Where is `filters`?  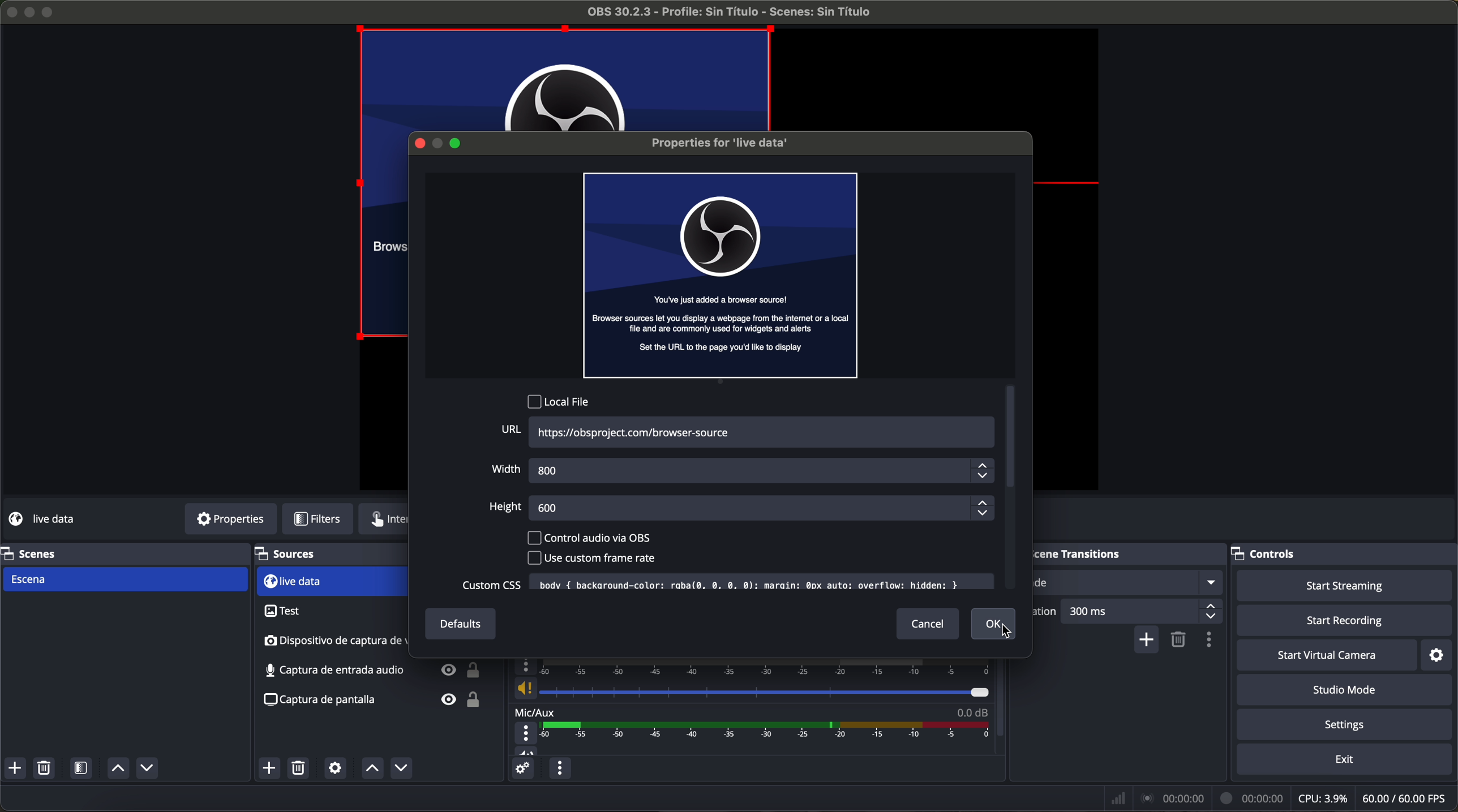
filters is located at coordinates (318, 519).